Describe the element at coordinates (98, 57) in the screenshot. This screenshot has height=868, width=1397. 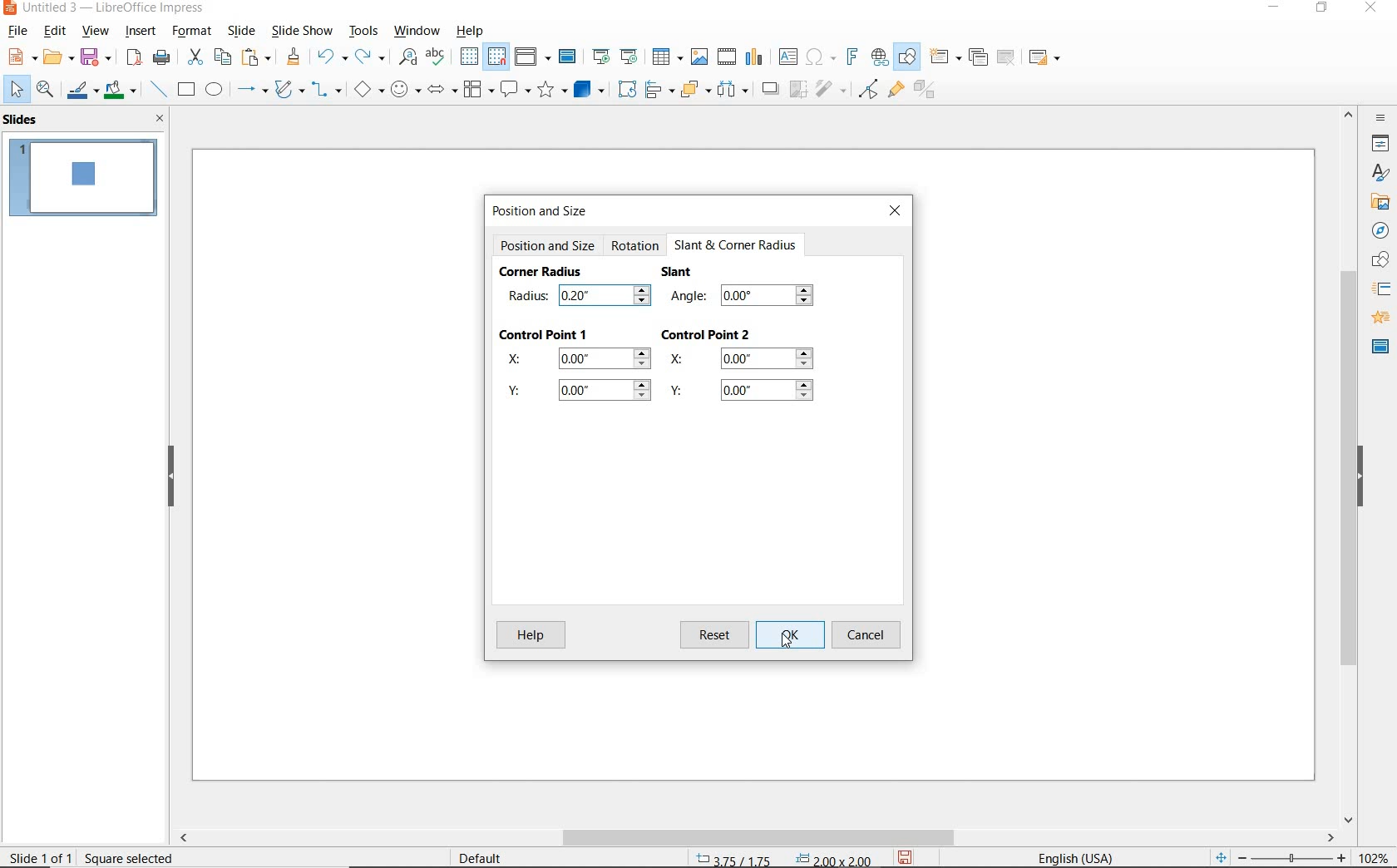
I see `save` at that location.